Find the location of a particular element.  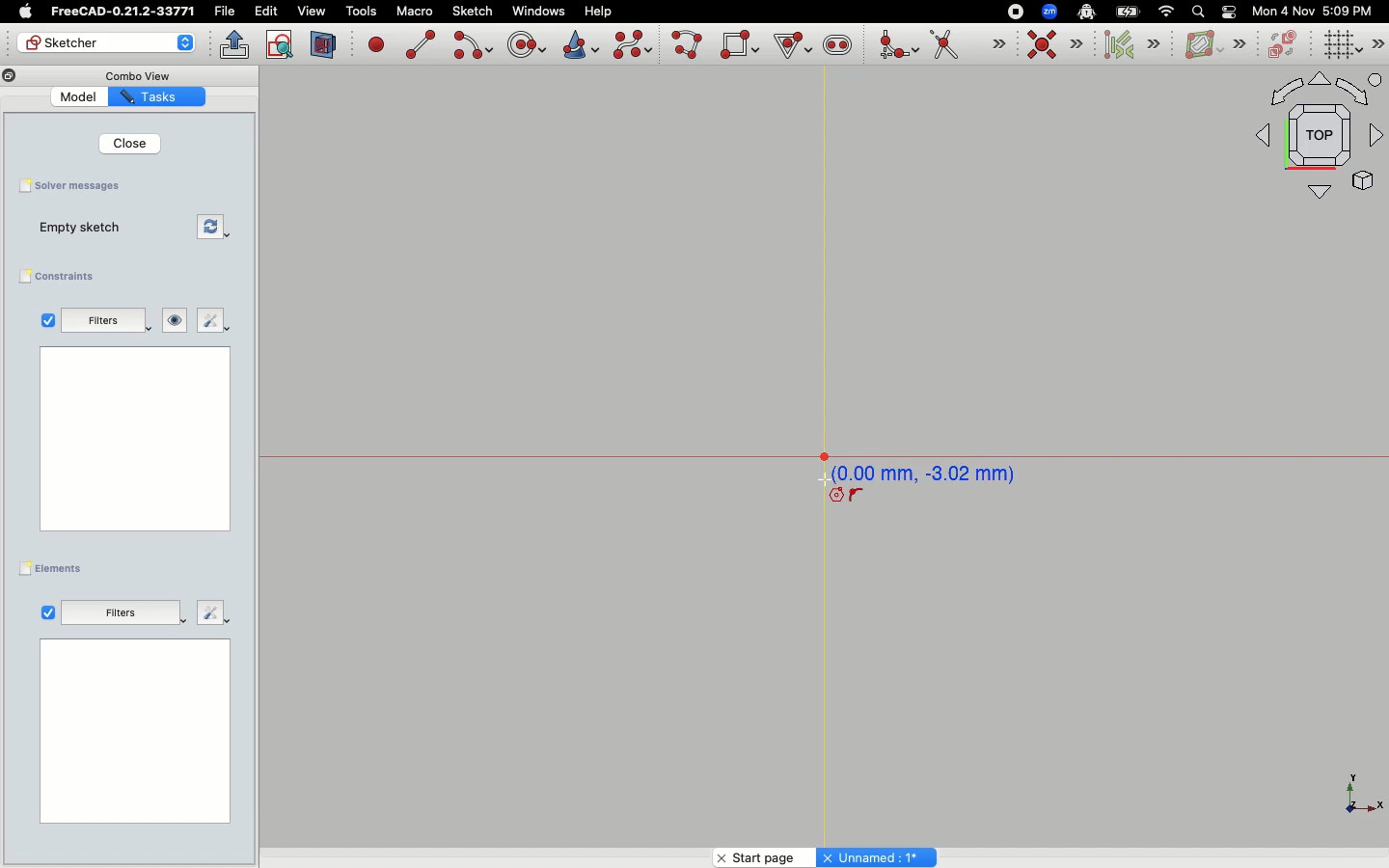

Solver messages is located at coordinates (74, 185).